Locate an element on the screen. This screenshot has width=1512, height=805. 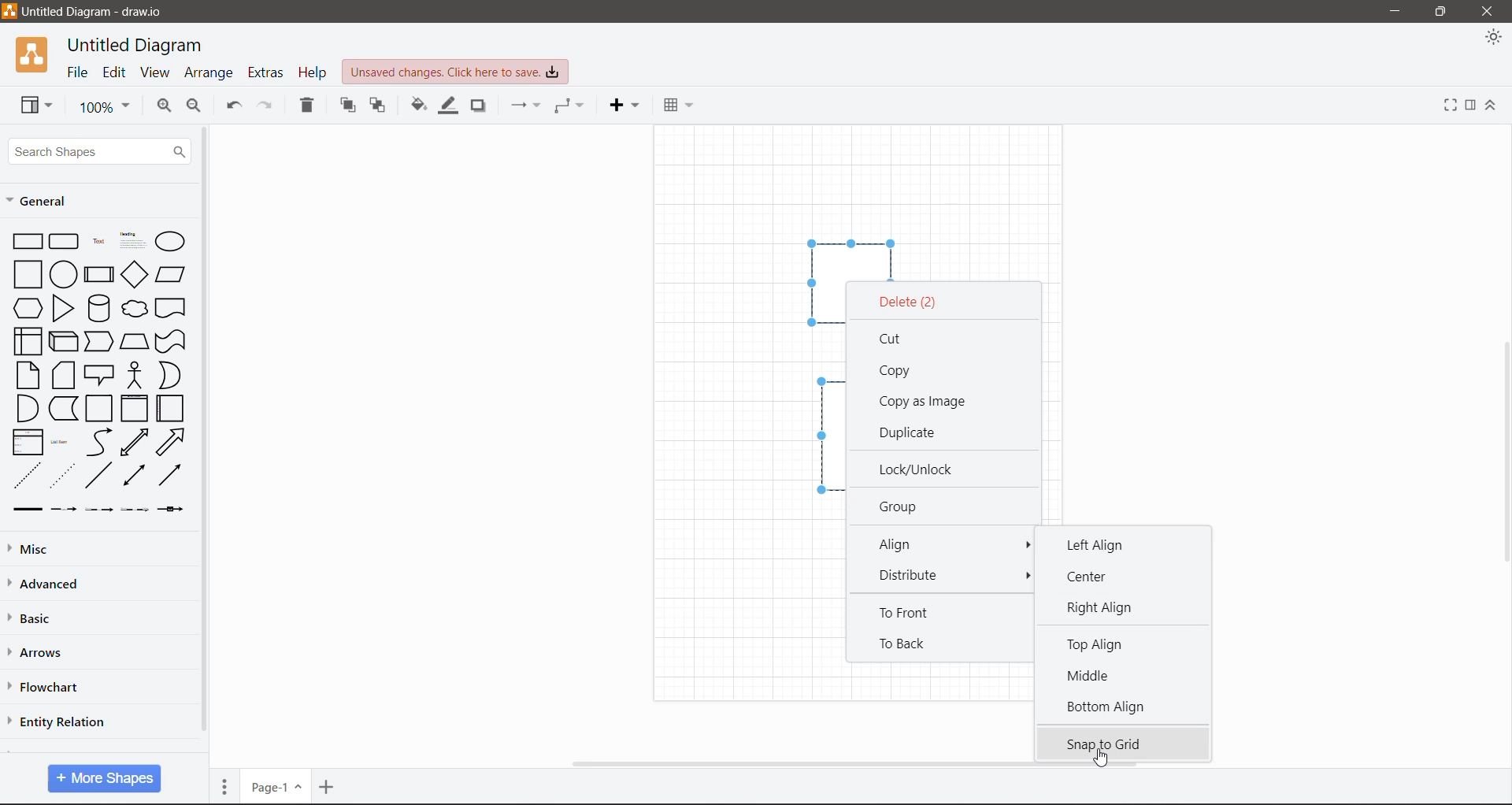
Page Number is located at coordinates (276, 786).